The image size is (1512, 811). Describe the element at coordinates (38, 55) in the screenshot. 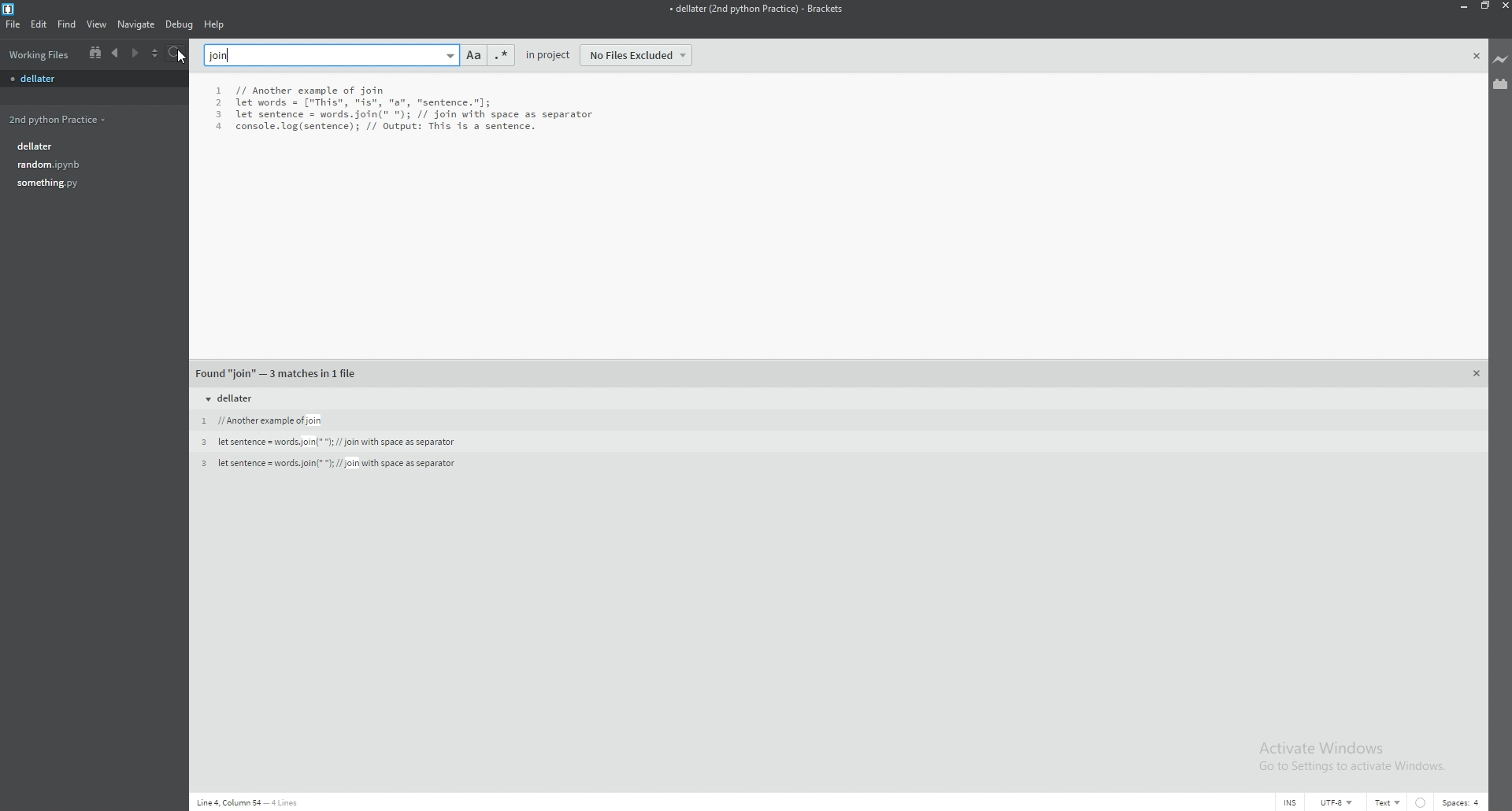

I see `working files` at that location.